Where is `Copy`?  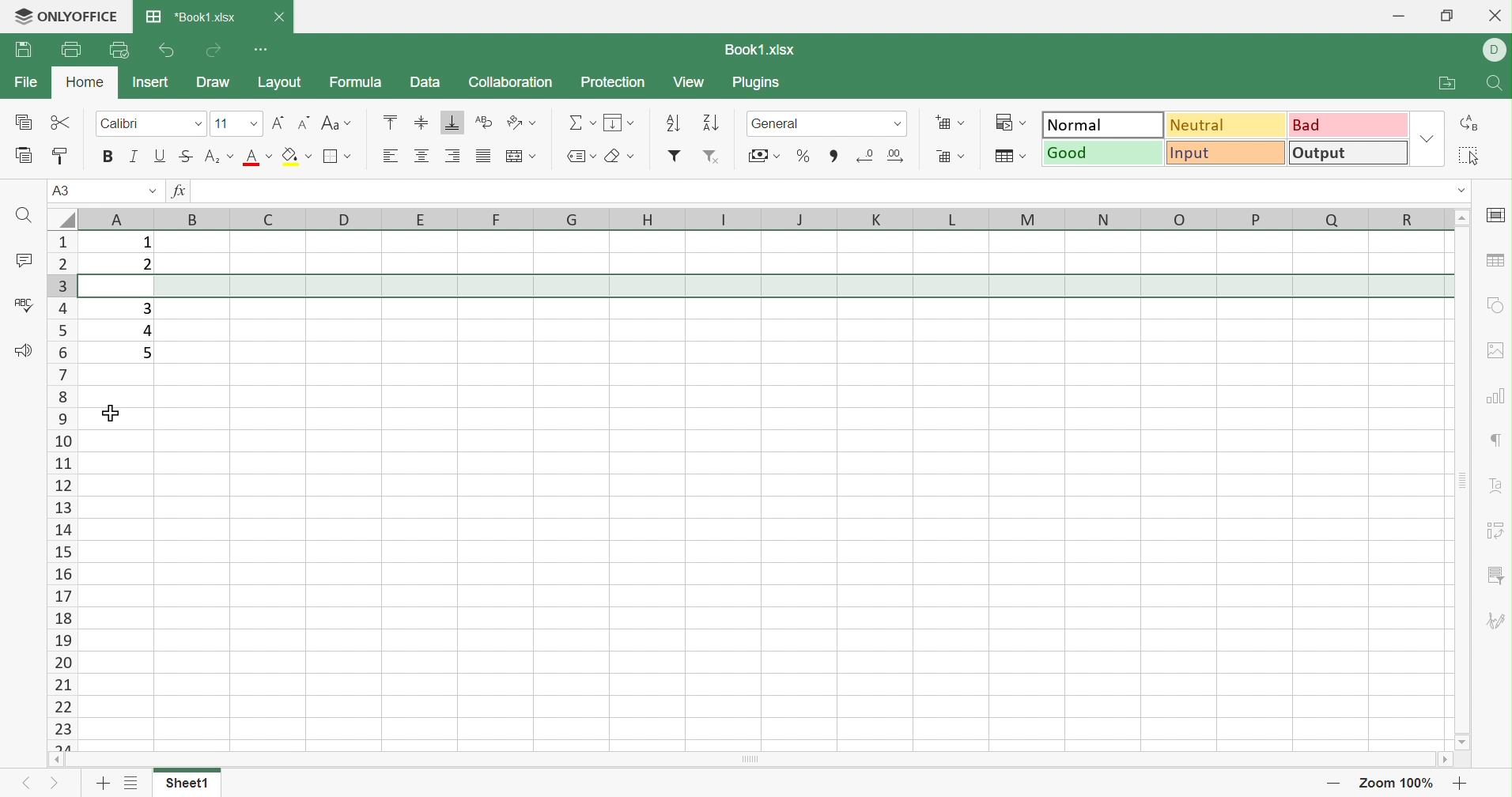 Copy is located at coordinates (25, 123).